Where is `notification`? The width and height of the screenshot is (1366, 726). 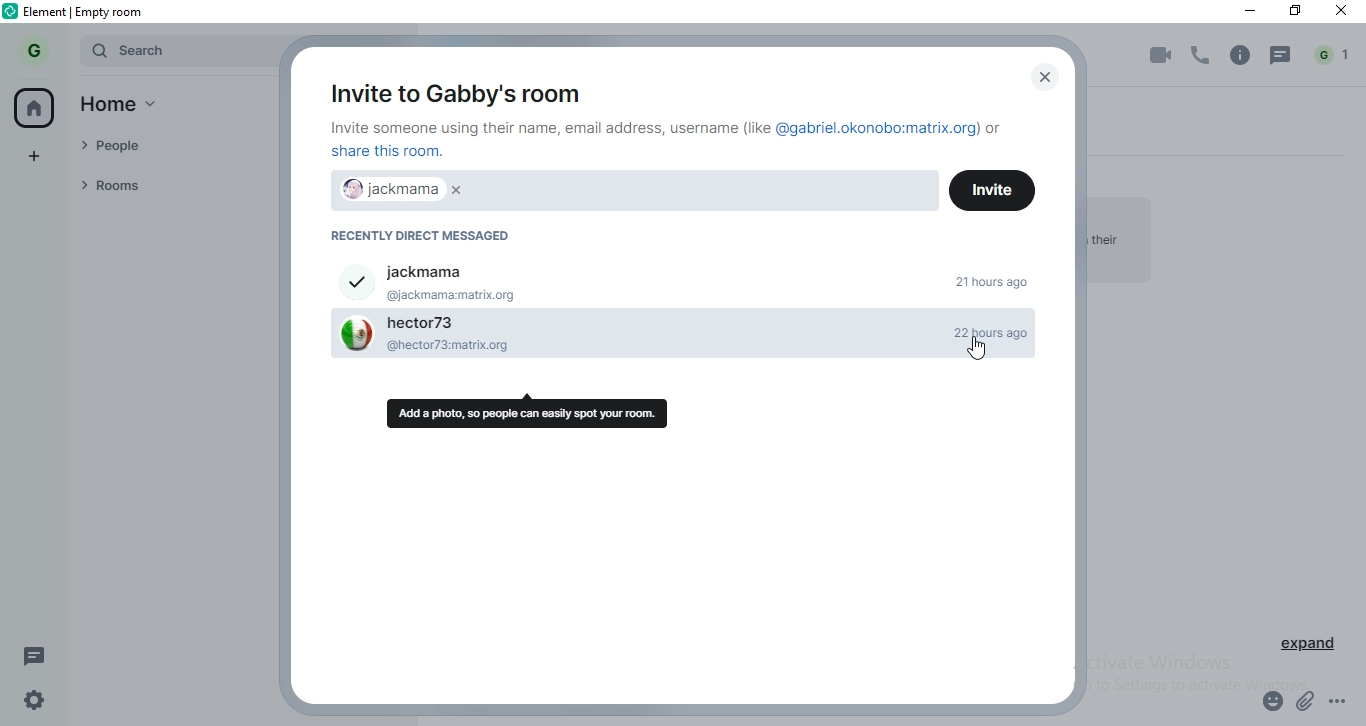 notification is located at coordinates (1334, 55).